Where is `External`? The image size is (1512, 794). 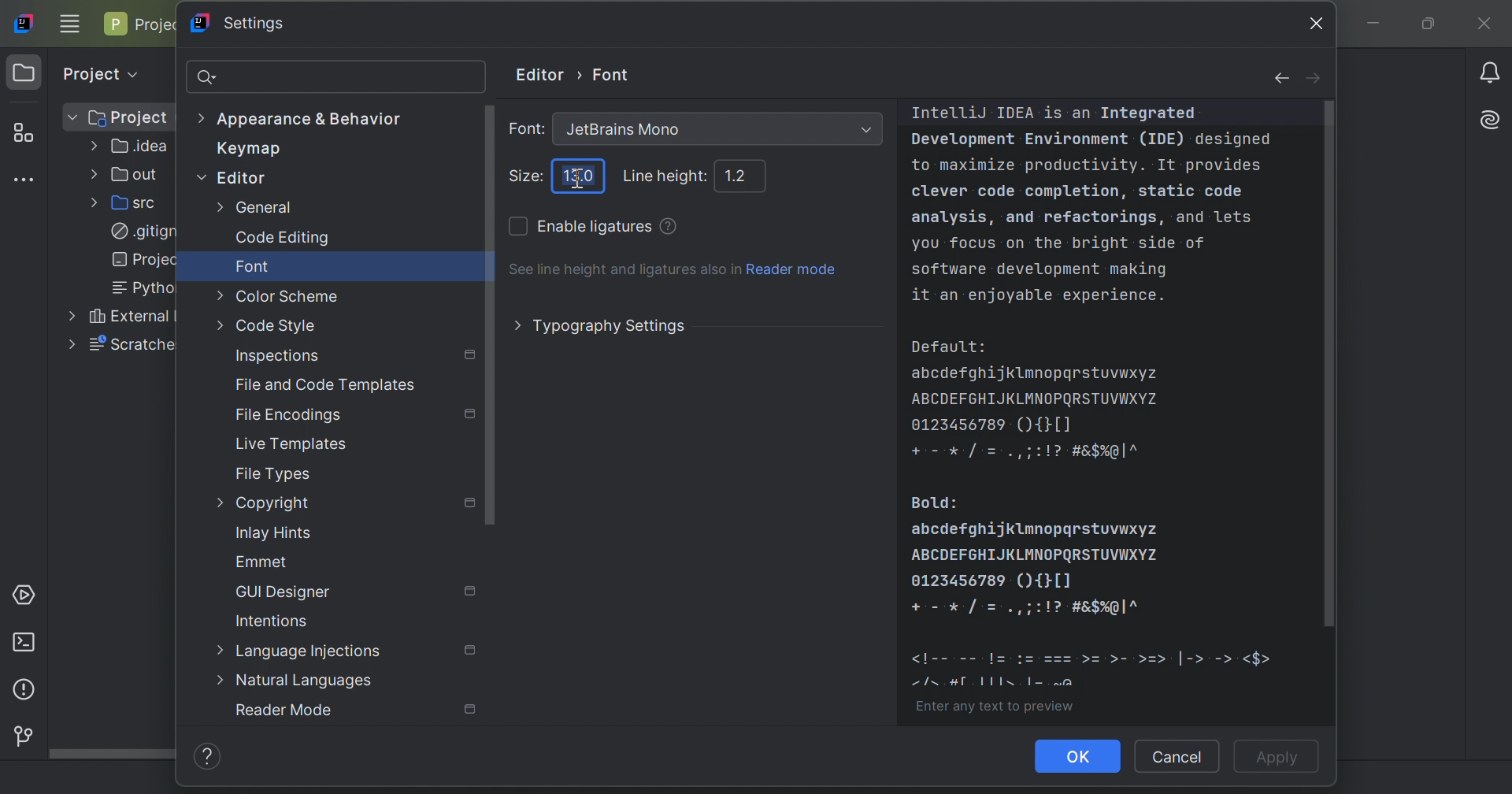
External is located at coordinates (118, 315).